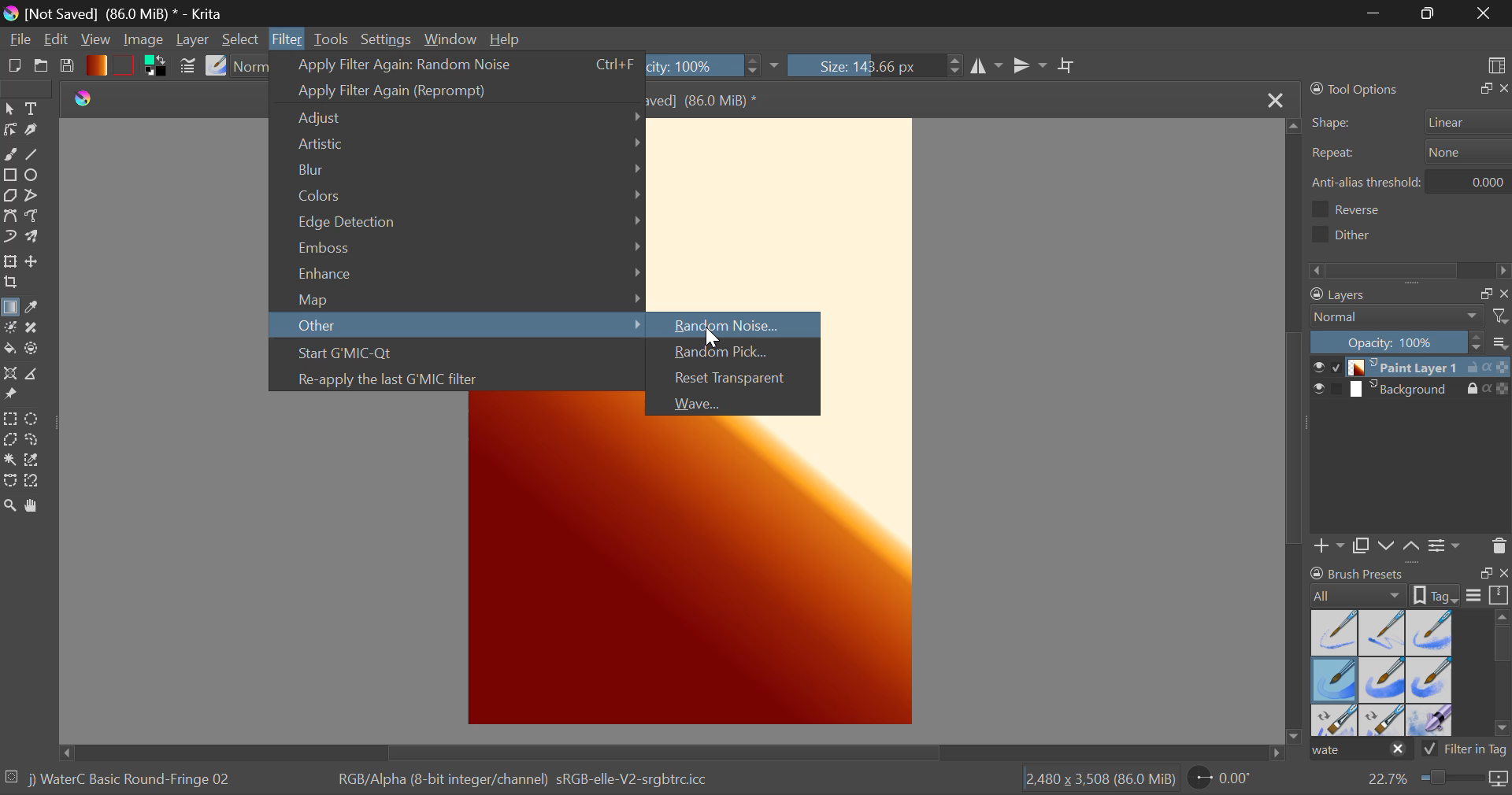  Describe the element at coordinates (37, 507) in the screenshot. I see `Pan` at that location.